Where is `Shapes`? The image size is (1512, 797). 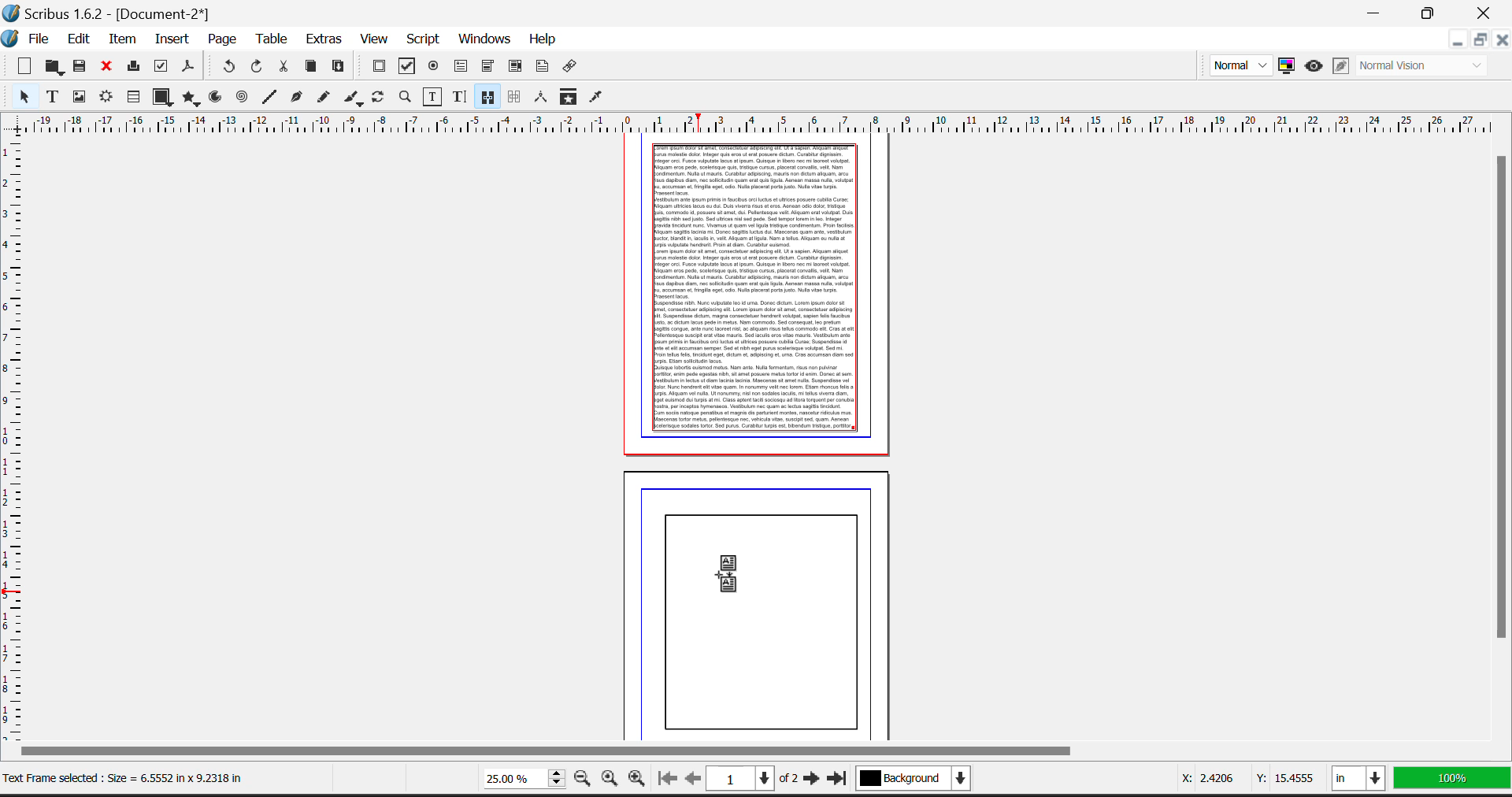
Shapes is located at coordinates (161, 98).